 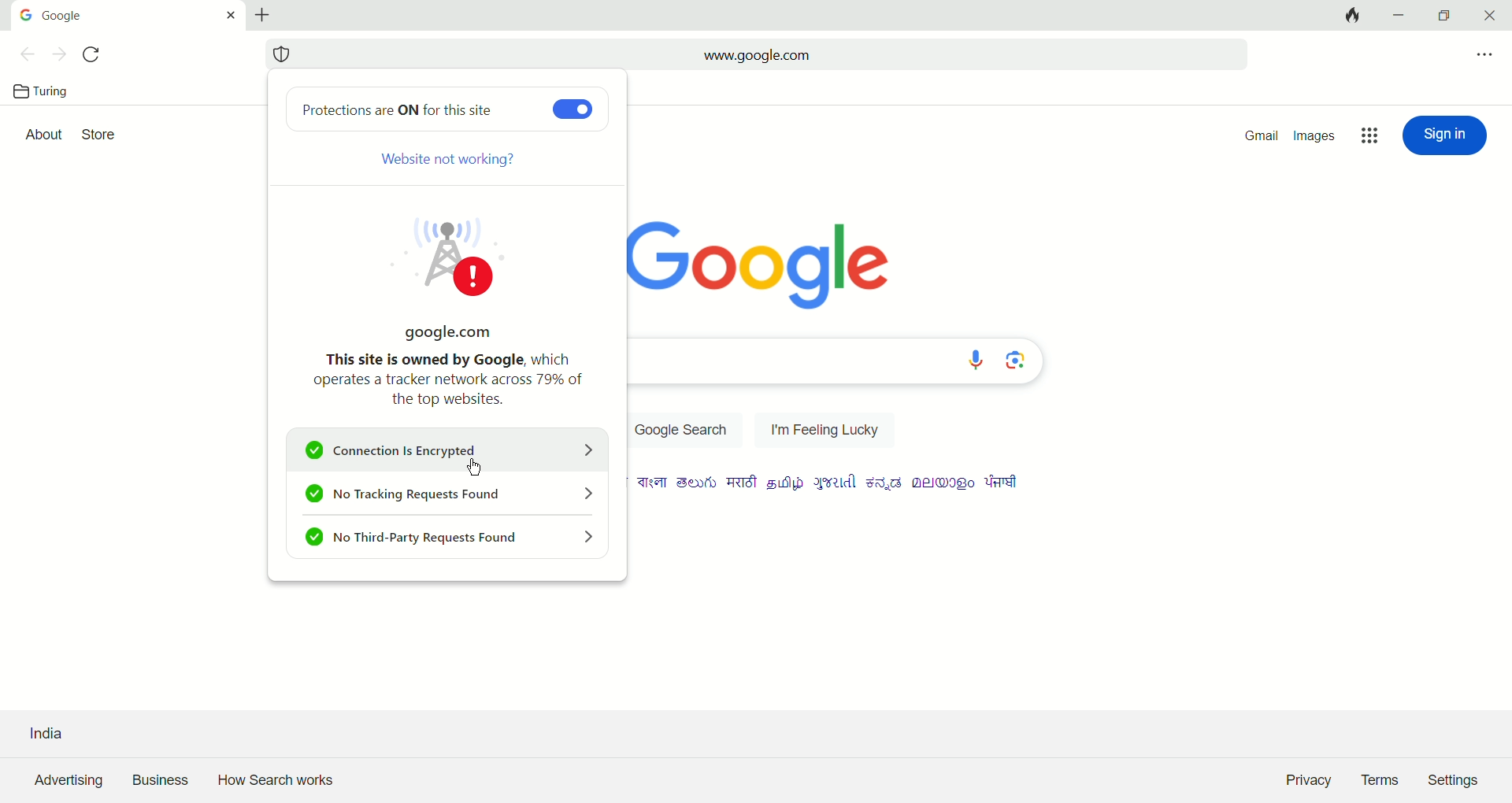 I want to click on www.google.com, so click(x=755, y=55).